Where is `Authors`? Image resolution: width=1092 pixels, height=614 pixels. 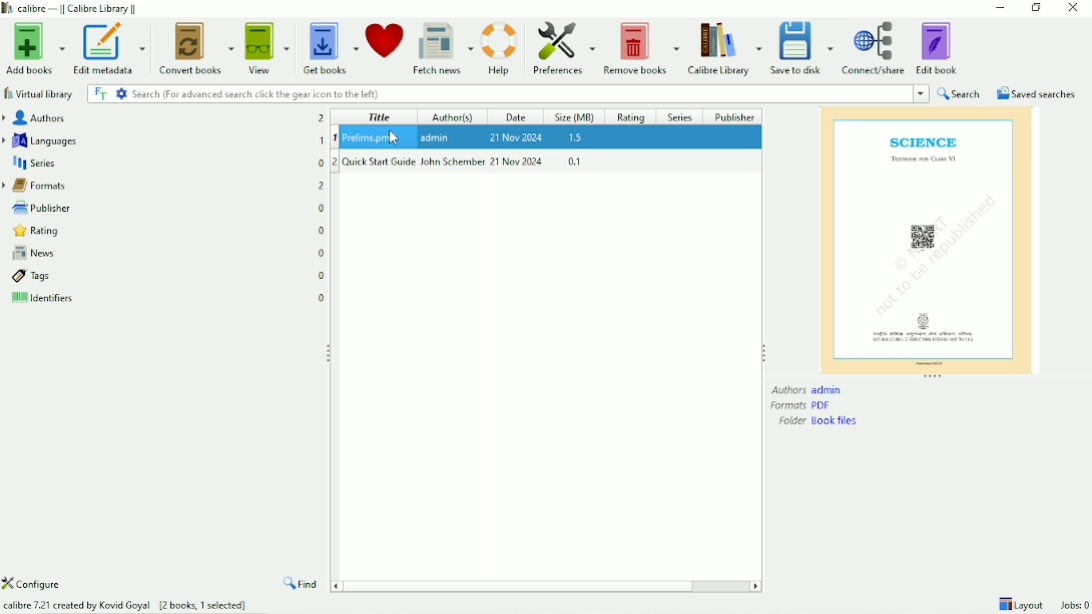
Authors is located at coordinates (36, 118).